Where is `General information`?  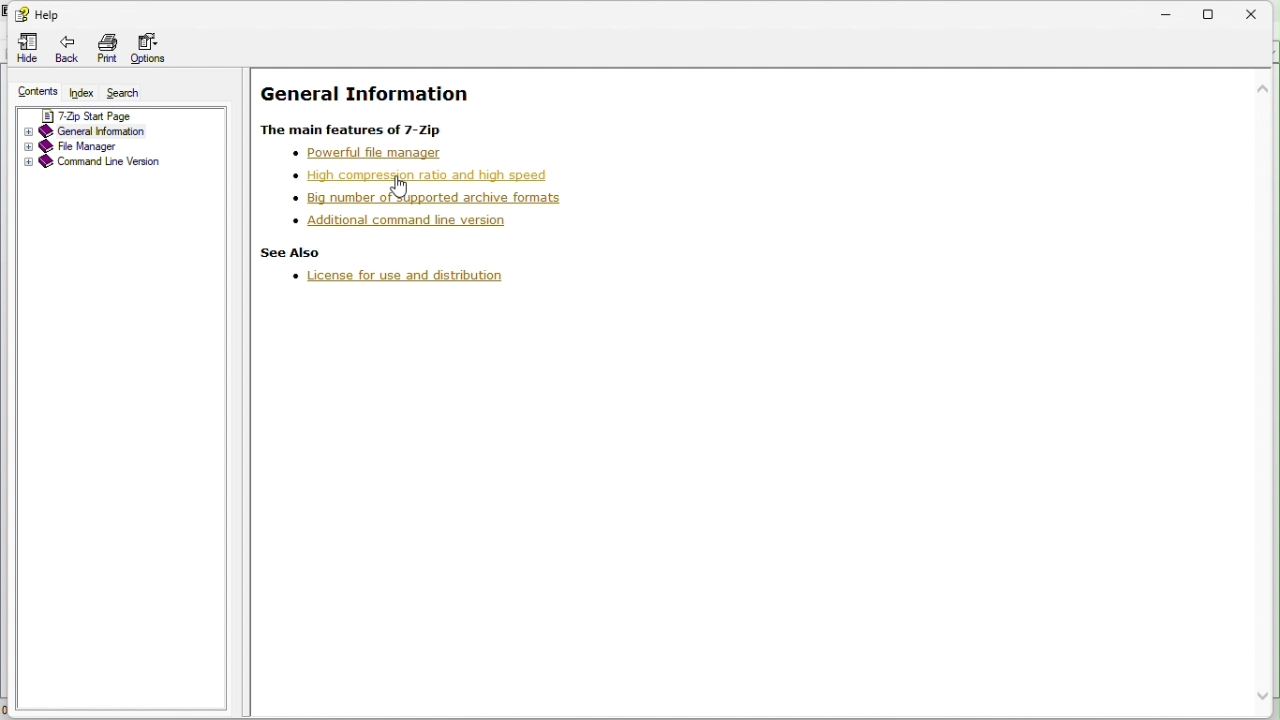
General information is located at coordinates (113, 129).